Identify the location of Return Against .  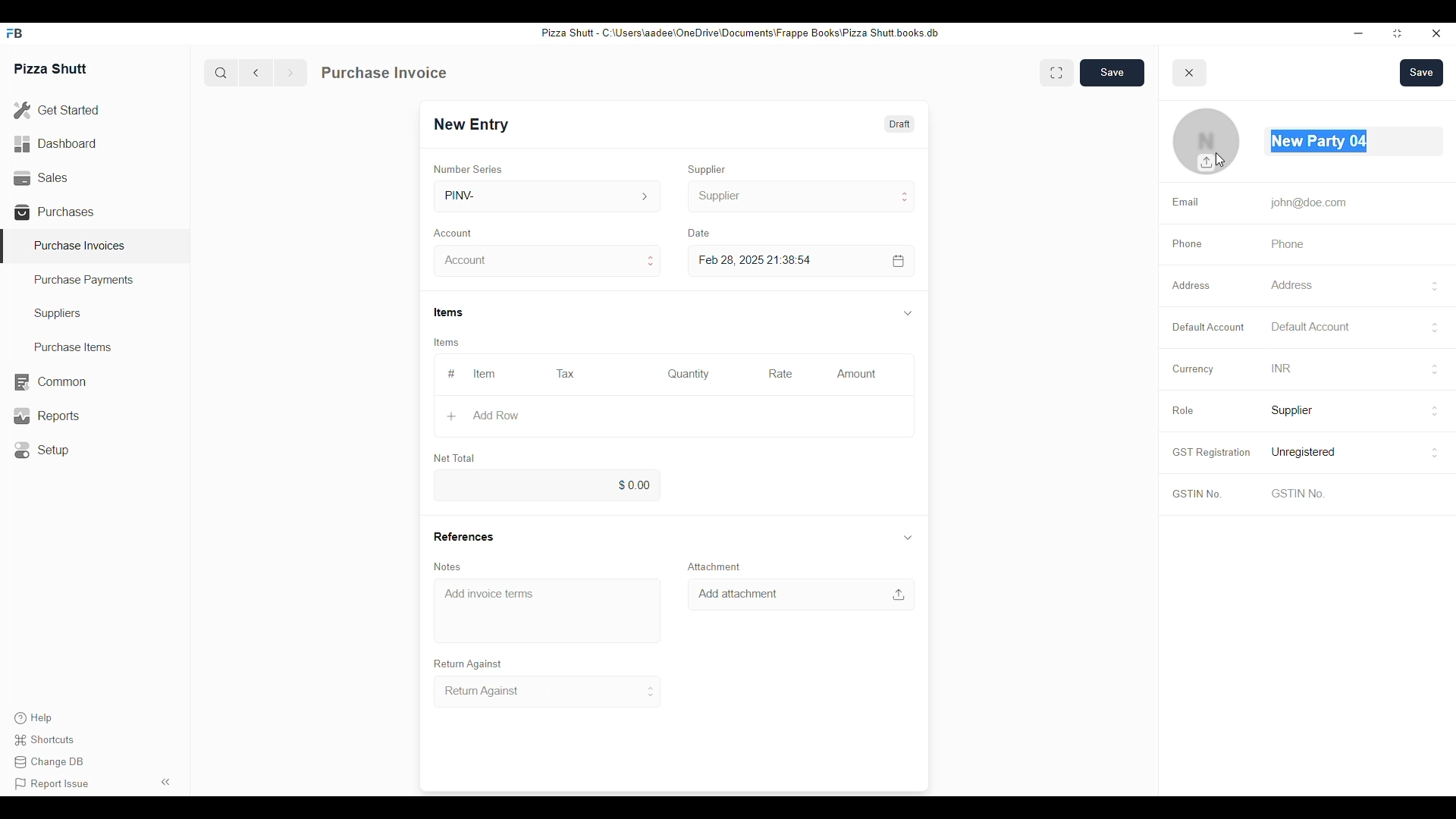
(548, 692).